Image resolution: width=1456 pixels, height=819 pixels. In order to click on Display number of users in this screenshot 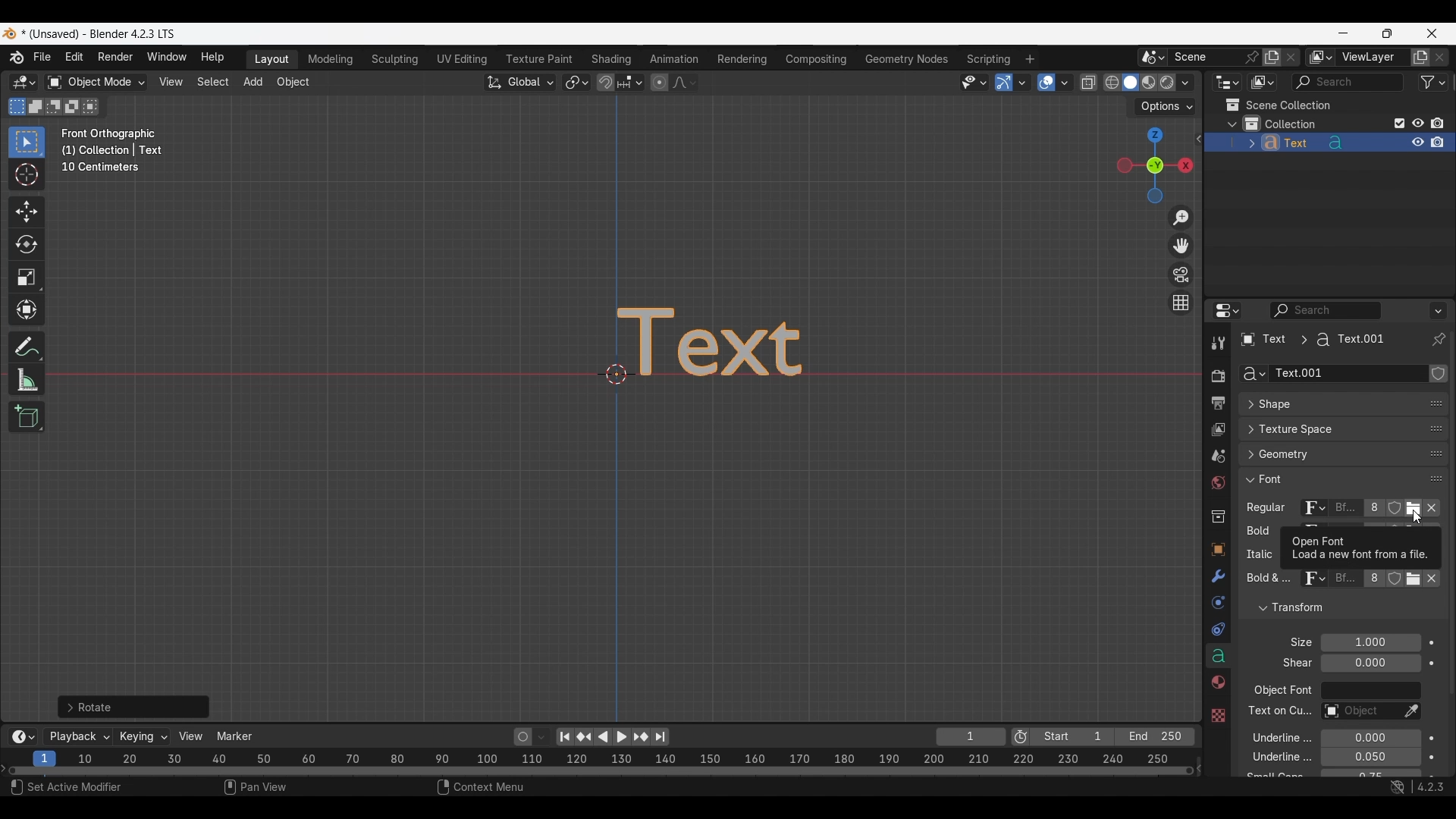, I will do `click(1373, 582)`.